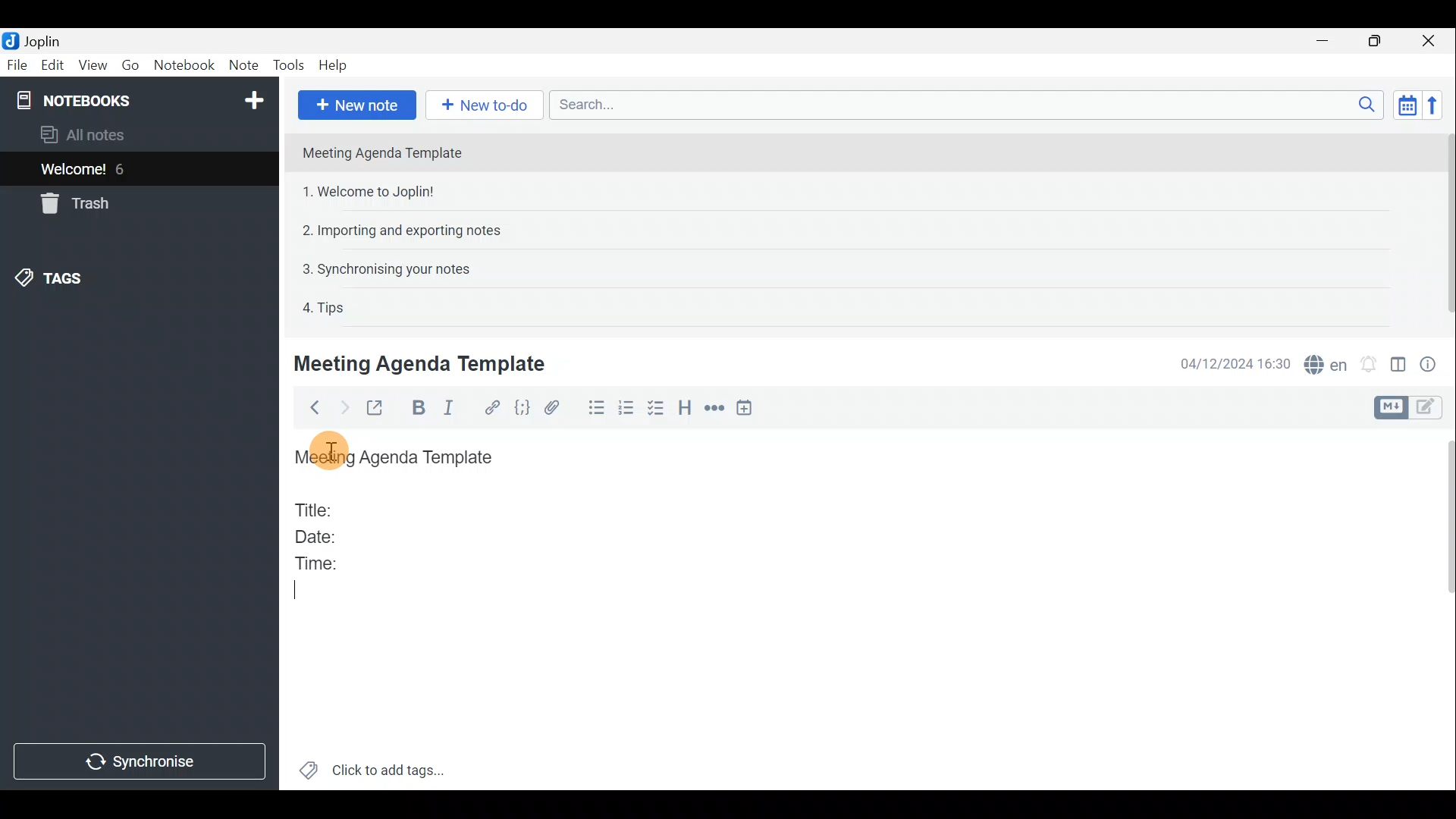 This screenshot has width=1456, height=819. I want to click on Joplin, so click(42, 40).